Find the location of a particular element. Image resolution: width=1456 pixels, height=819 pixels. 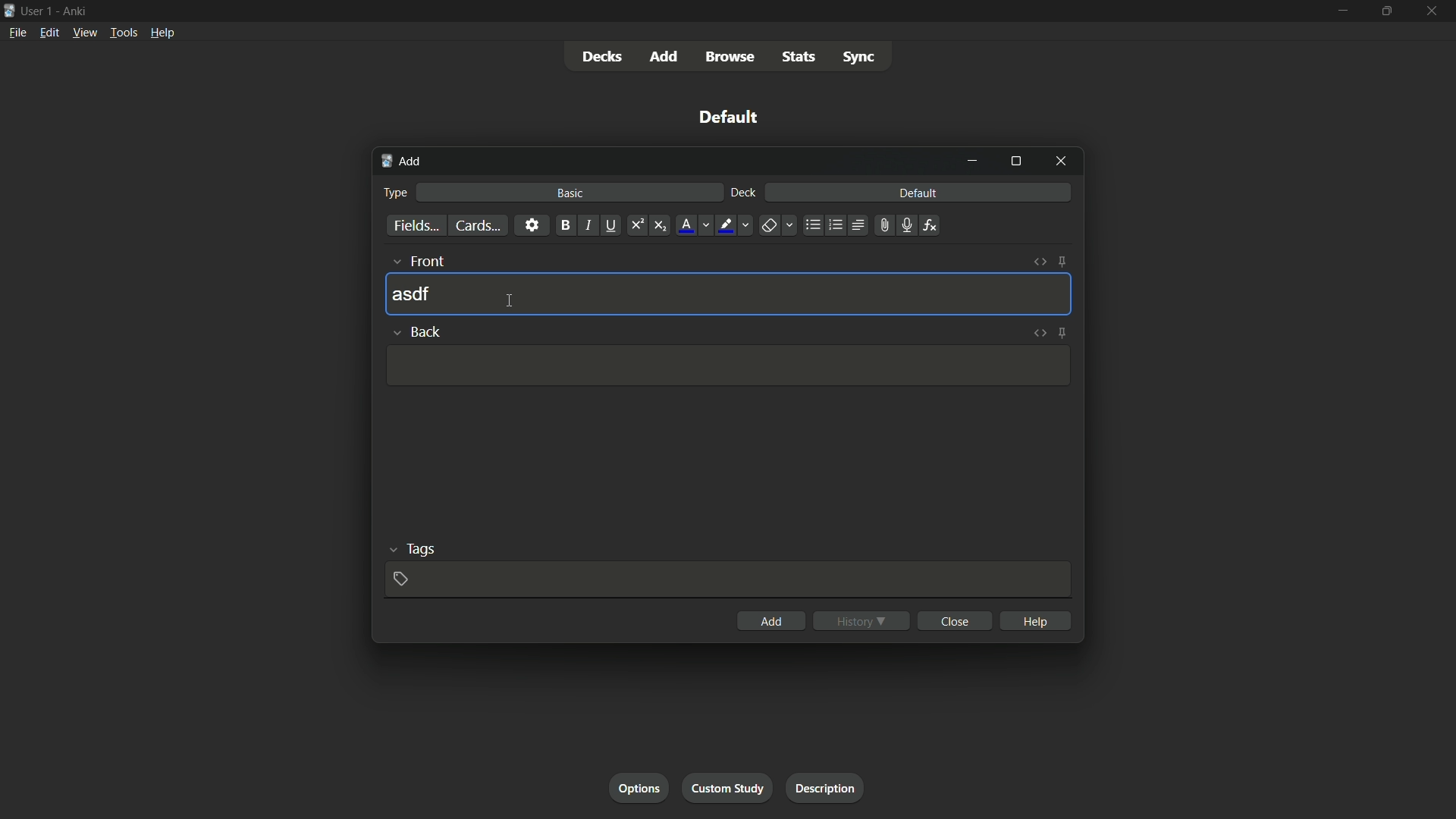

alignment is located at coordinates (859, 224).